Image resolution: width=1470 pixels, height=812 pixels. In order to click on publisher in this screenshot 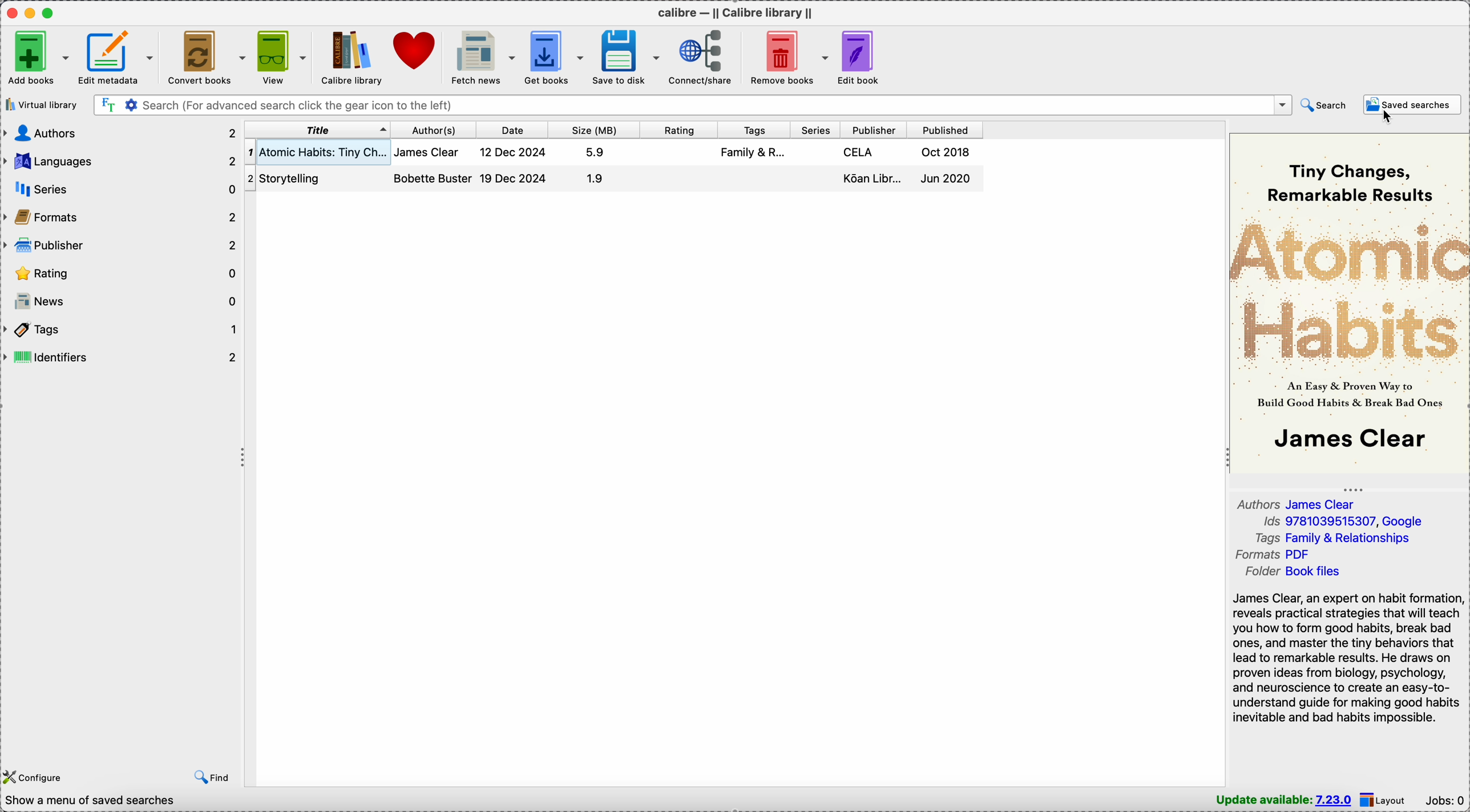, I will do `click(119, 247)`.